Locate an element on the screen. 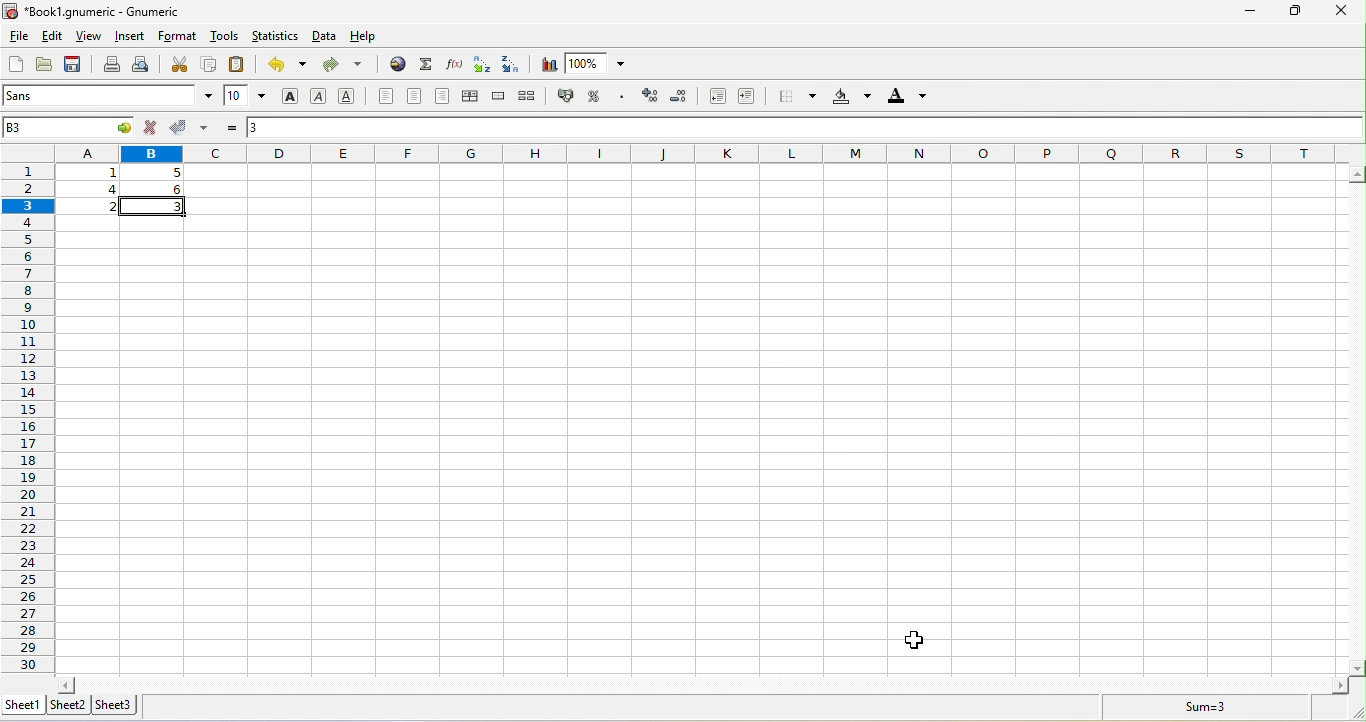 The width and height of the screenshot is (1366, 722). help is located at coordinates (377, 39).